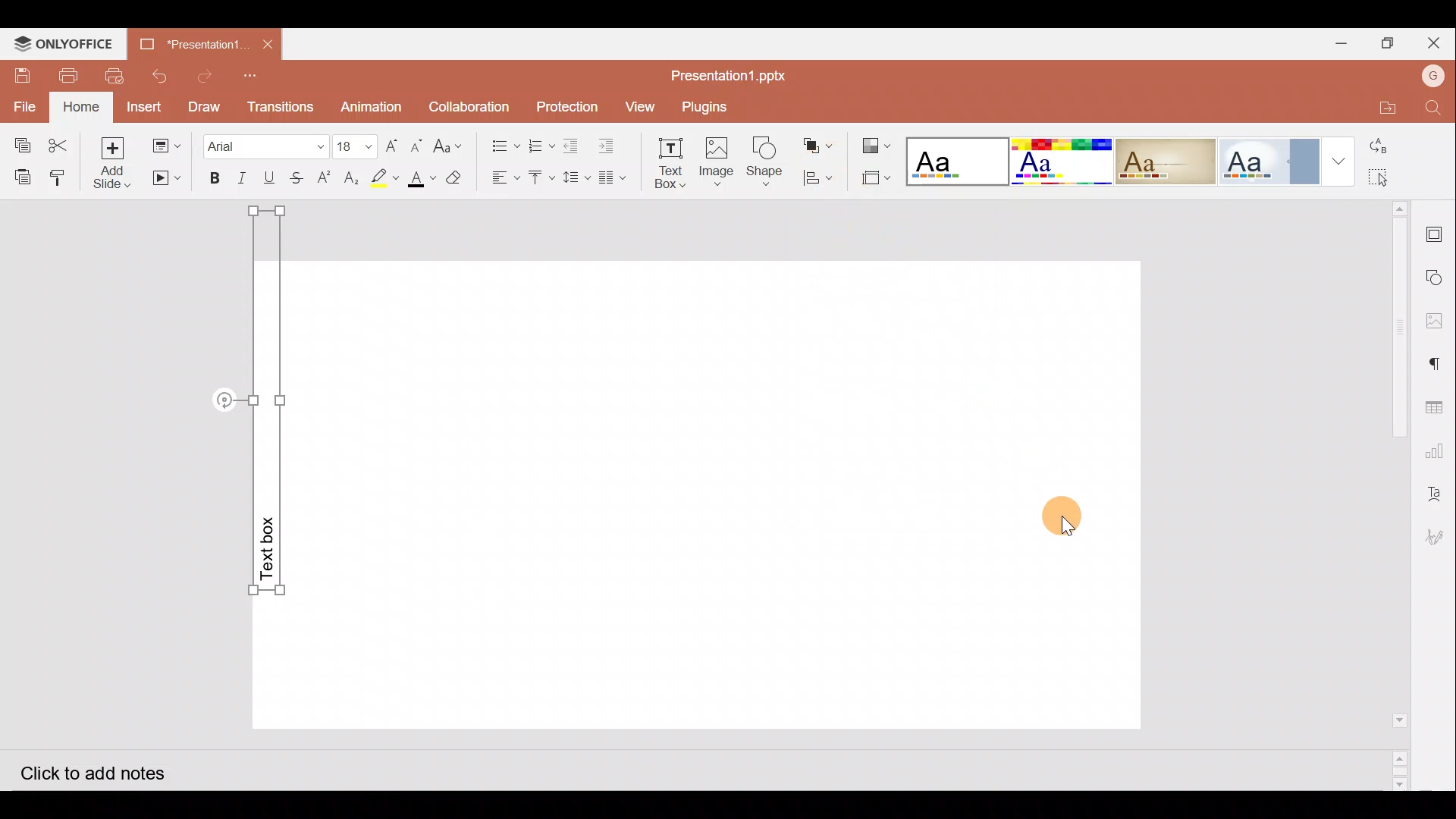 The image size is (1456, 819). What do you see at coordinates (573, 145) in the screenshot?
I see `Decrease indent` at bounding box center [573, 145].